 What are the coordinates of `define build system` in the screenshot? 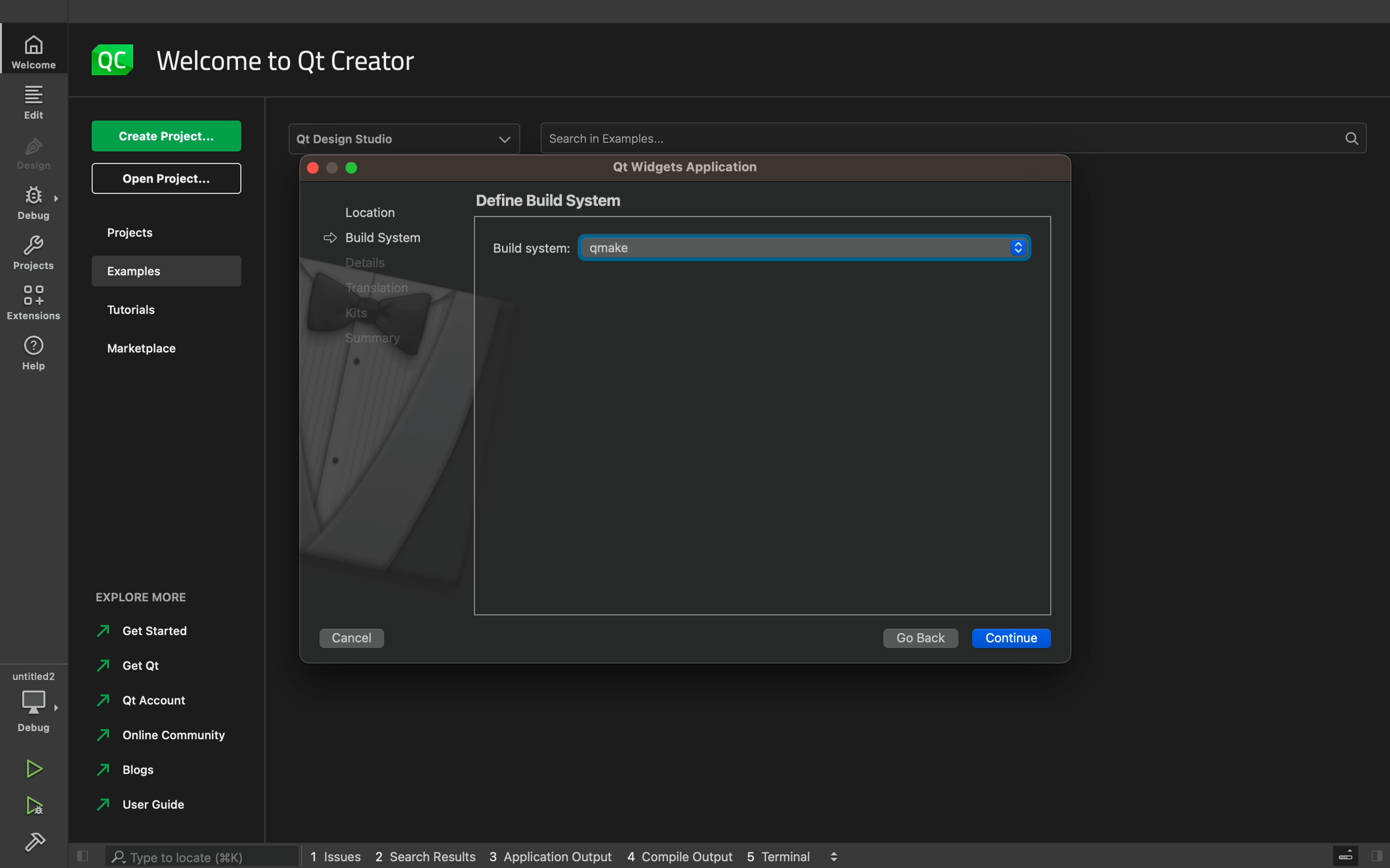 It's located at (550, 200).